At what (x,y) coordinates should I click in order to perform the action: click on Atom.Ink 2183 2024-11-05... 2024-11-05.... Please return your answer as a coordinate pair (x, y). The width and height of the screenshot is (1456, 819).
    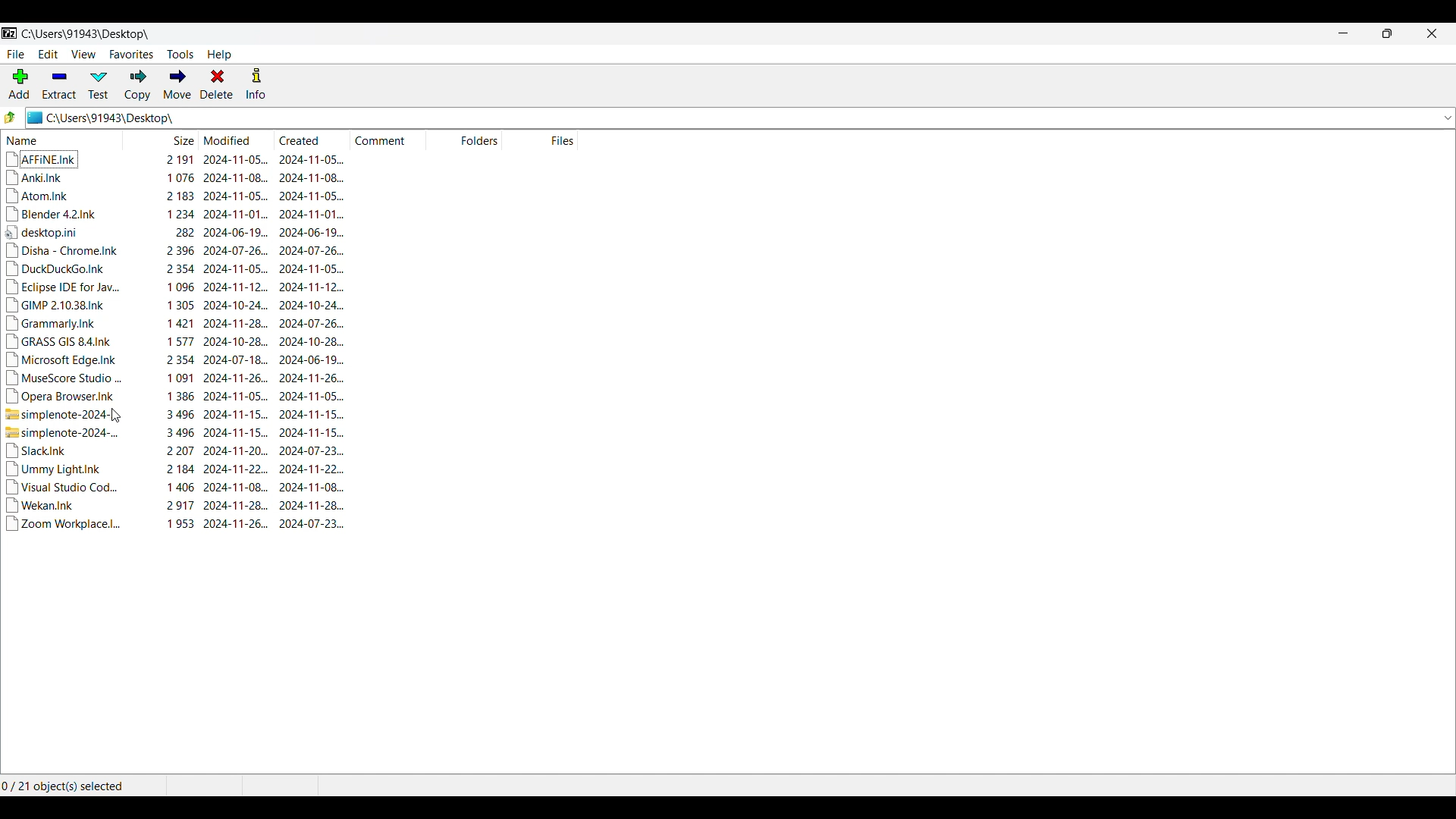
    Looking at the image, I should click on (180, 196).